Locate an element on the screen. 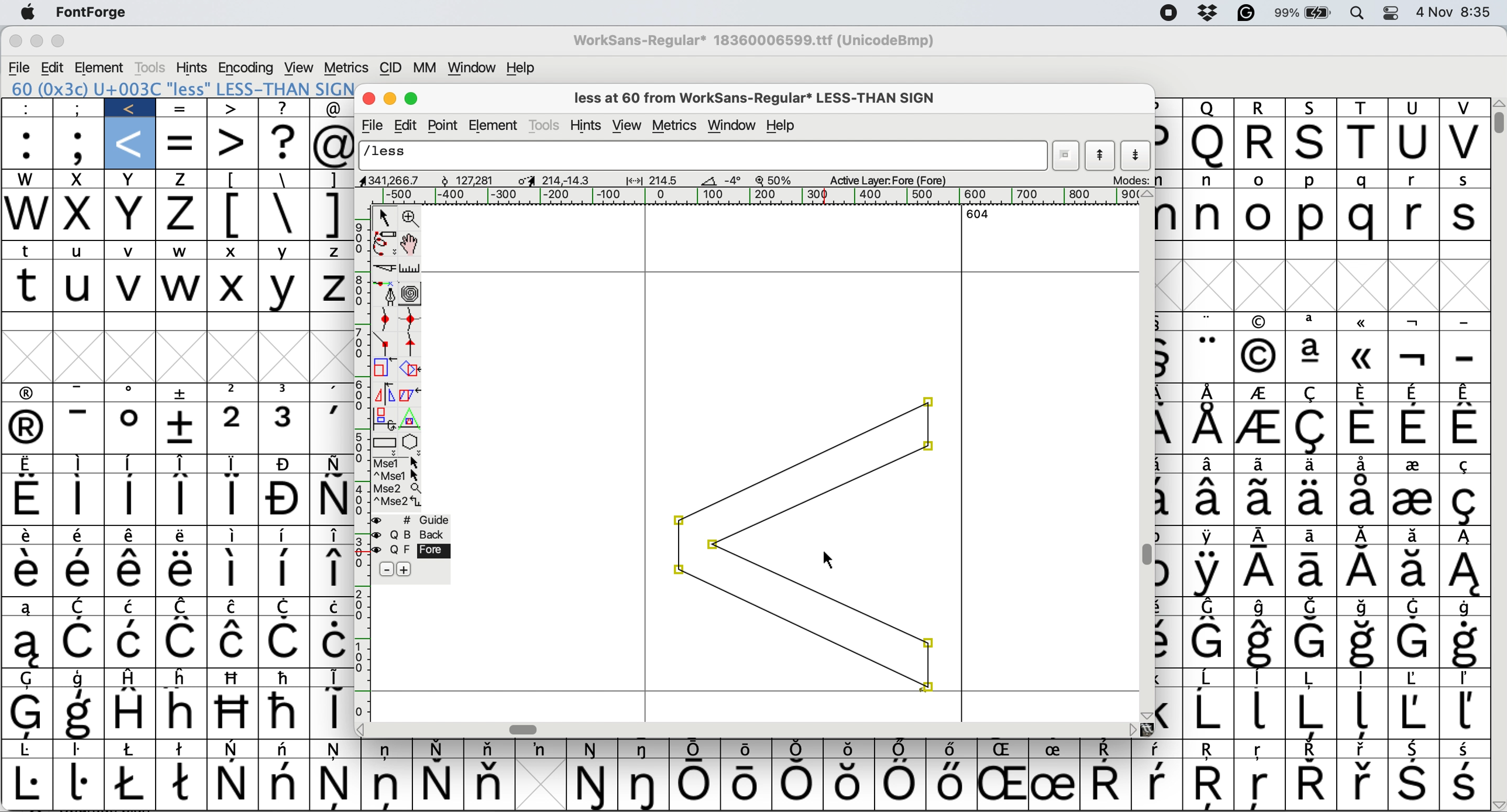  4 Nov 8:35 is located at coordinates (1457, 13).